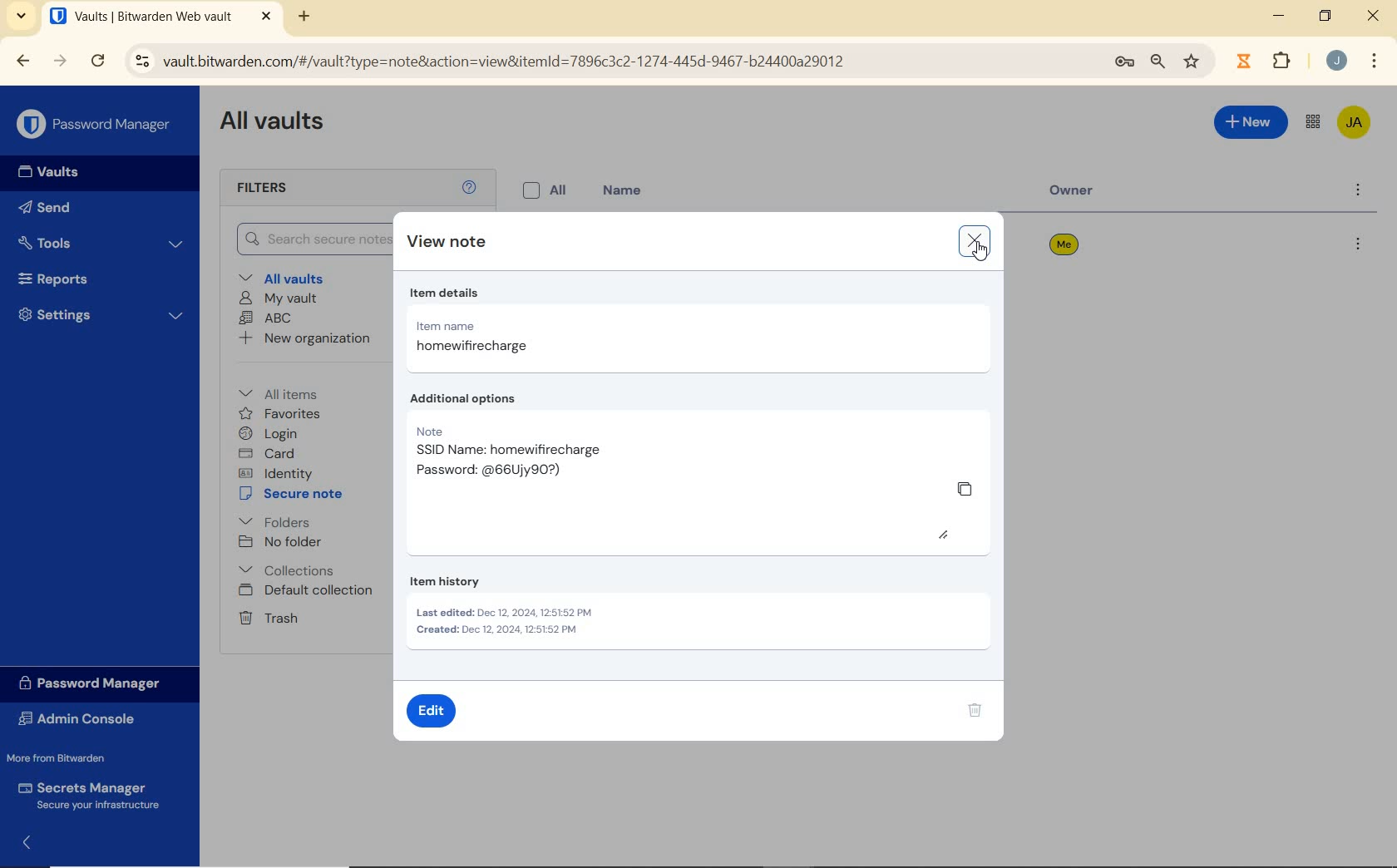  I want to click on copy, so click(964, 489).